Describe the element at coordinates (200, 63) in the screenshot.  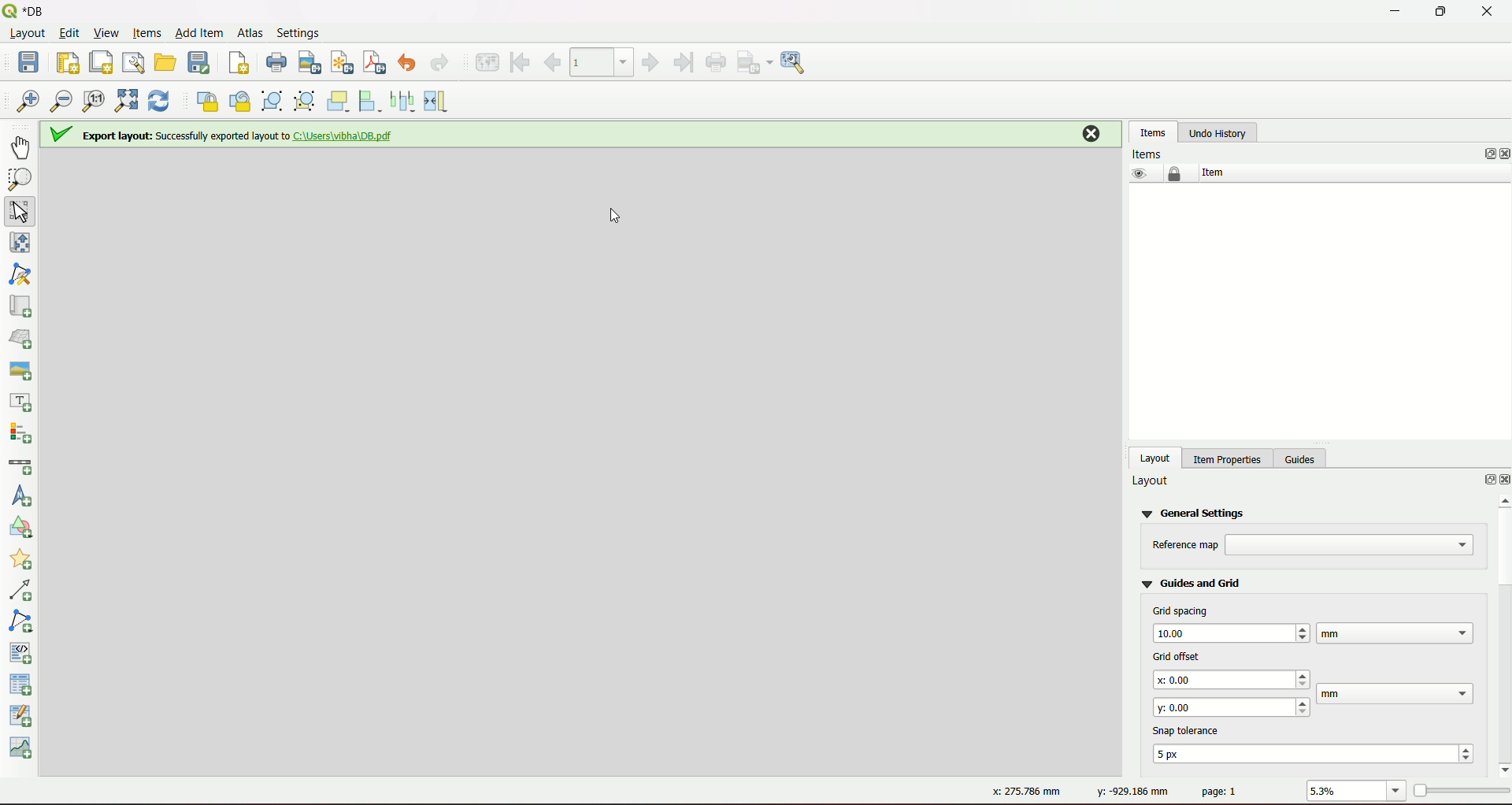
I see `save as template` at that location.